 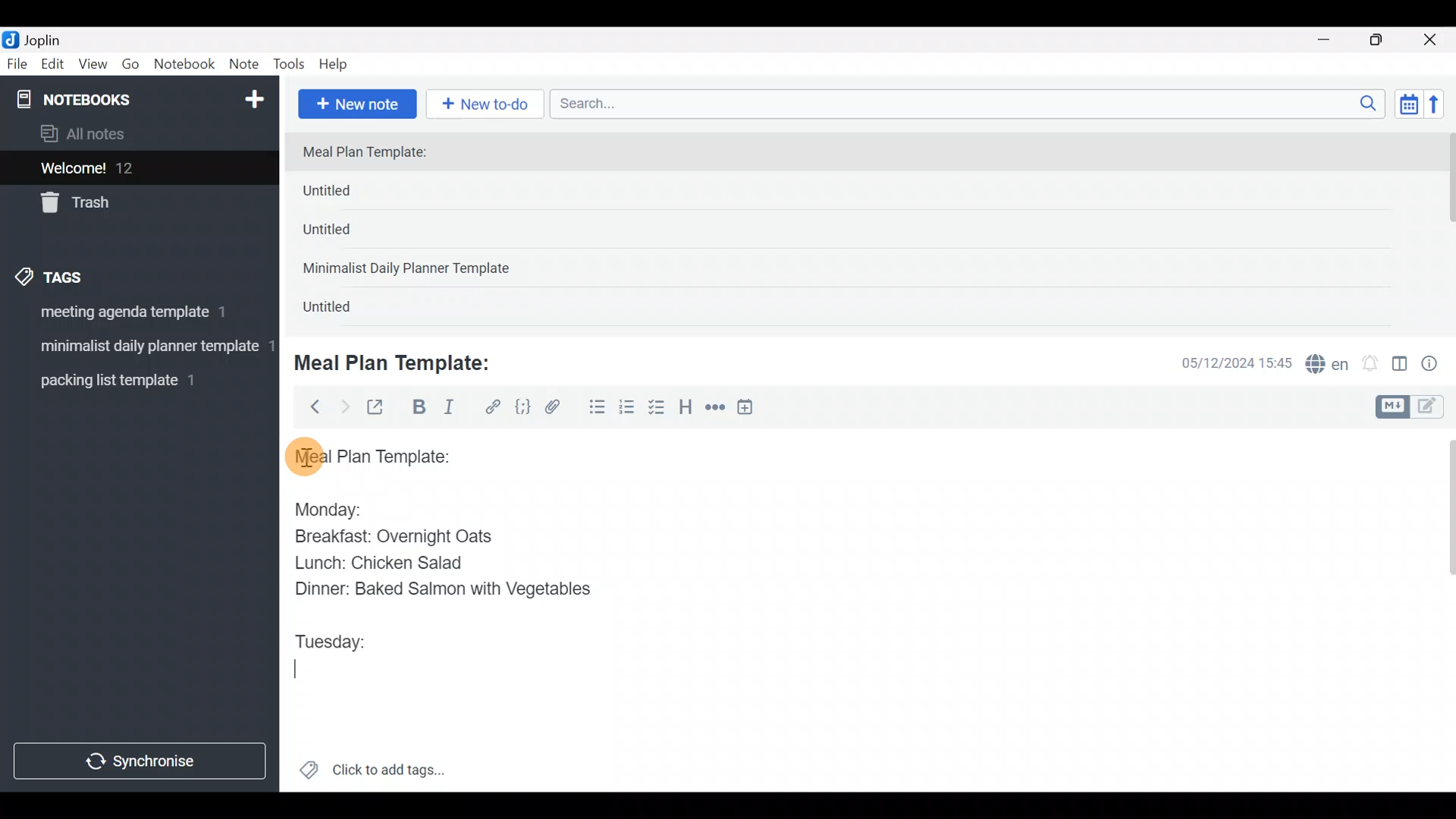 What do you see at coordinates (1440, 610) in the screenshot?
I see `Scroll bar` at bounding box center [1440, 610].